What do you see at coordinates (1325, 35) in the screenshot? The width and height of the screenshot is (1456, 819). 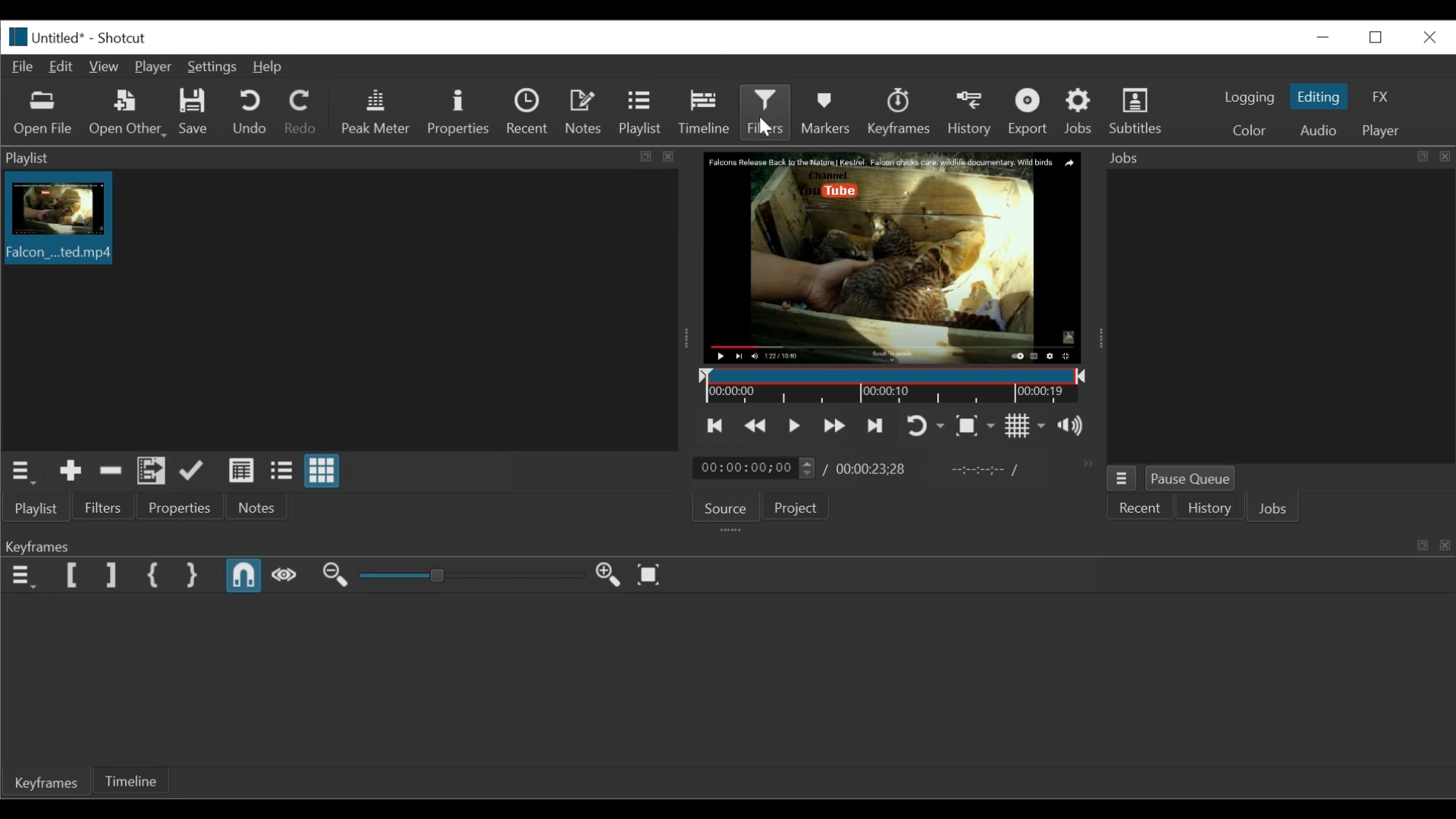 I see `Restore` at bounding box center [1325, 35].